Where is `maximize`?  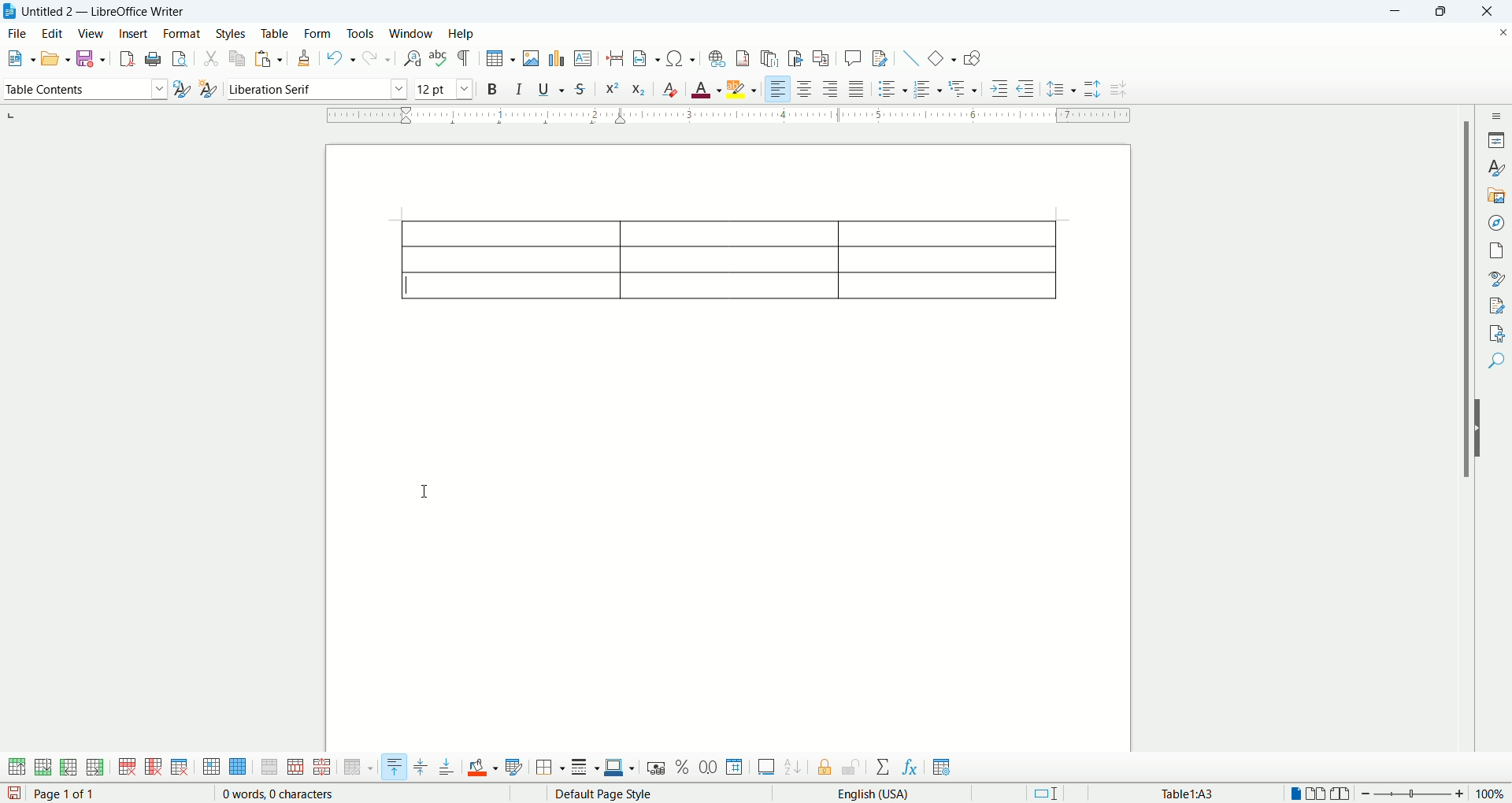
maximize is located at coordinates (1437, 14).